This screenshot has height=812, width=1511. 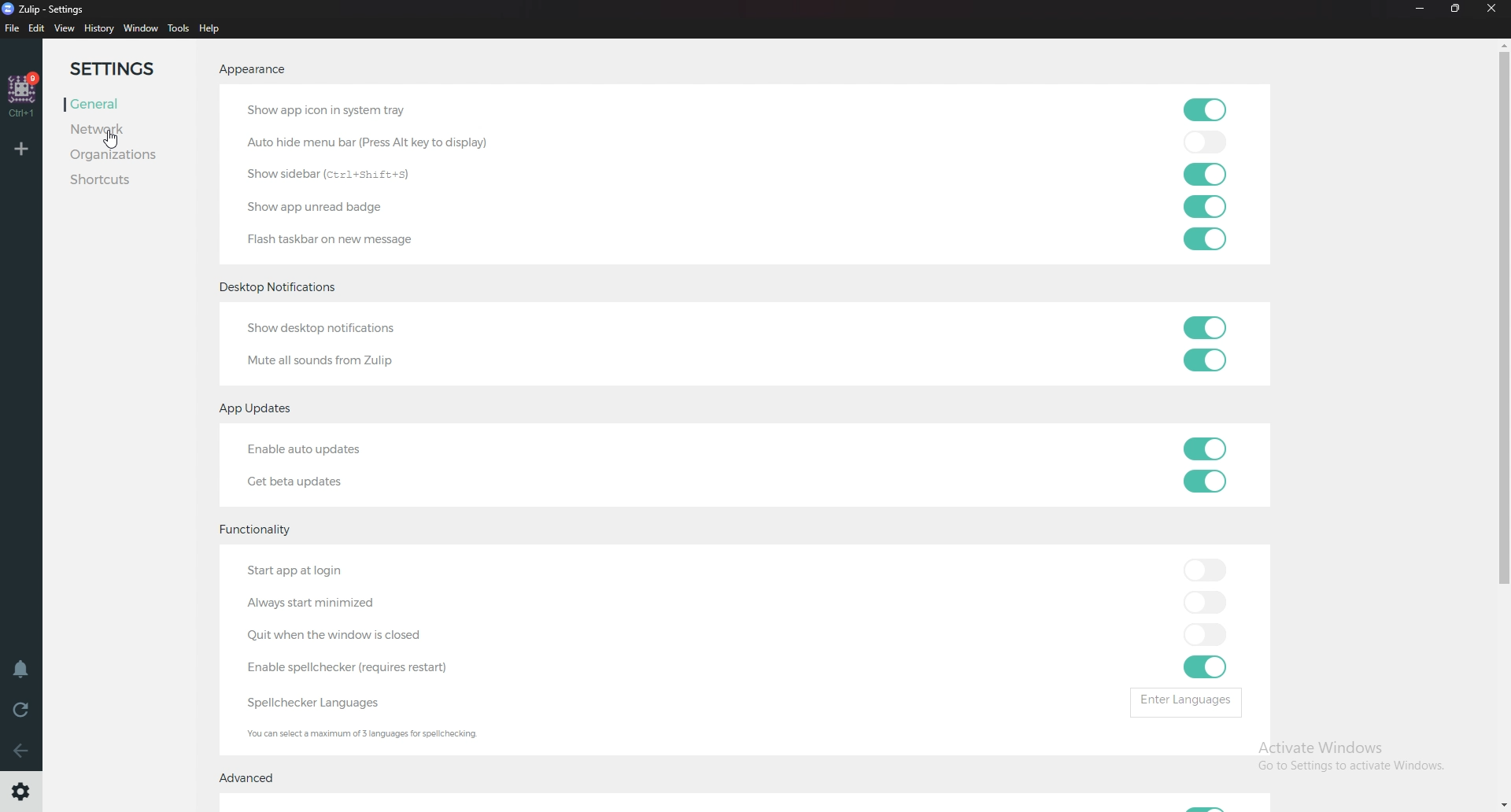 What do you see at coordinates (1420, 8) in the screenshot?
I see `Minimize` at bounding box center [1420, 8].